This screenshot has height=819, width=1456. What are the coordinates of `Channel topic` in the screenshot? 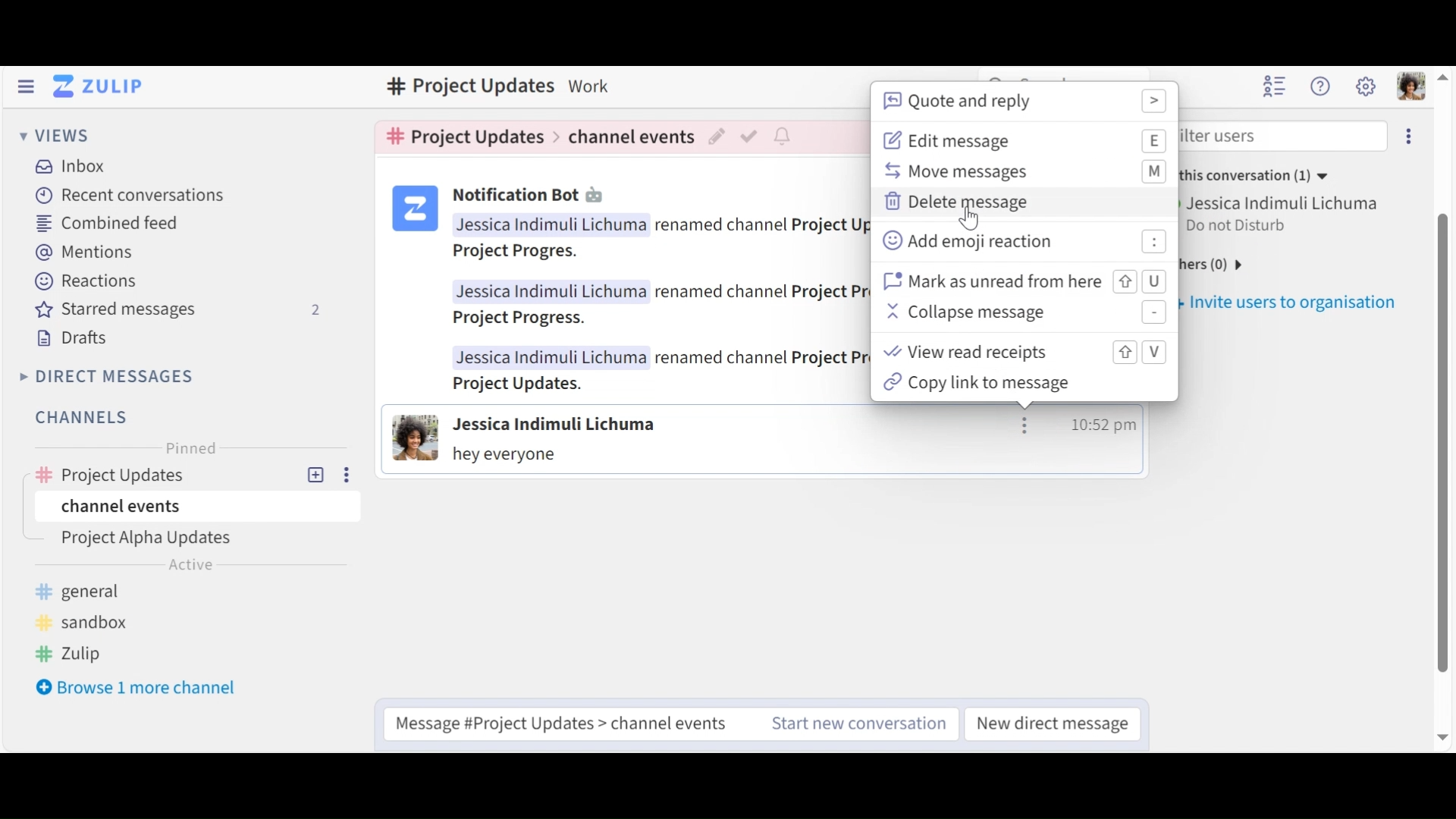 It's located at (466, 136).